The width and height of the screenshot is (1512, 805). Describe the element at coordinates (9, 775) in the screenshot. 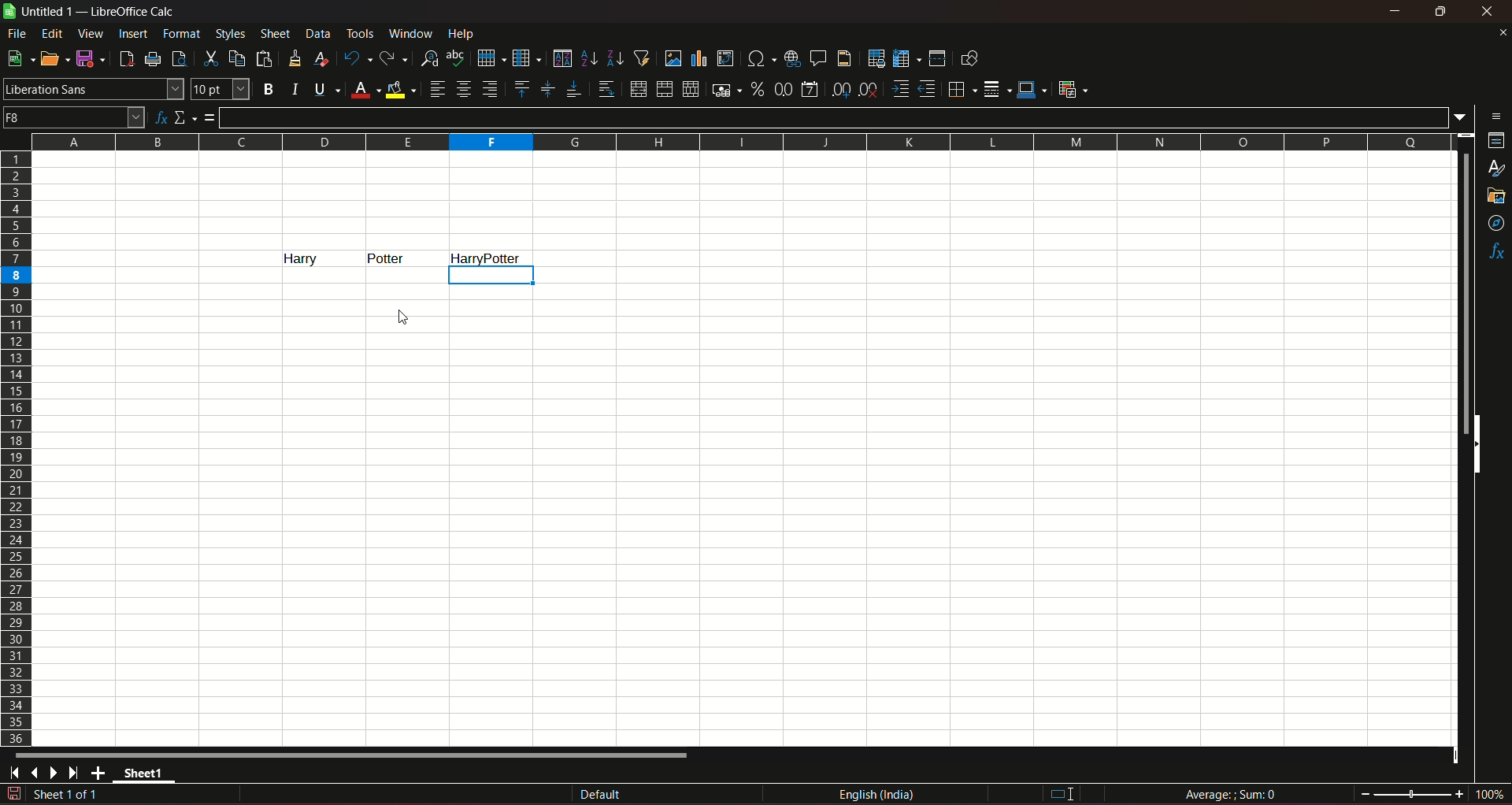

I see `scroll to first` at that location.